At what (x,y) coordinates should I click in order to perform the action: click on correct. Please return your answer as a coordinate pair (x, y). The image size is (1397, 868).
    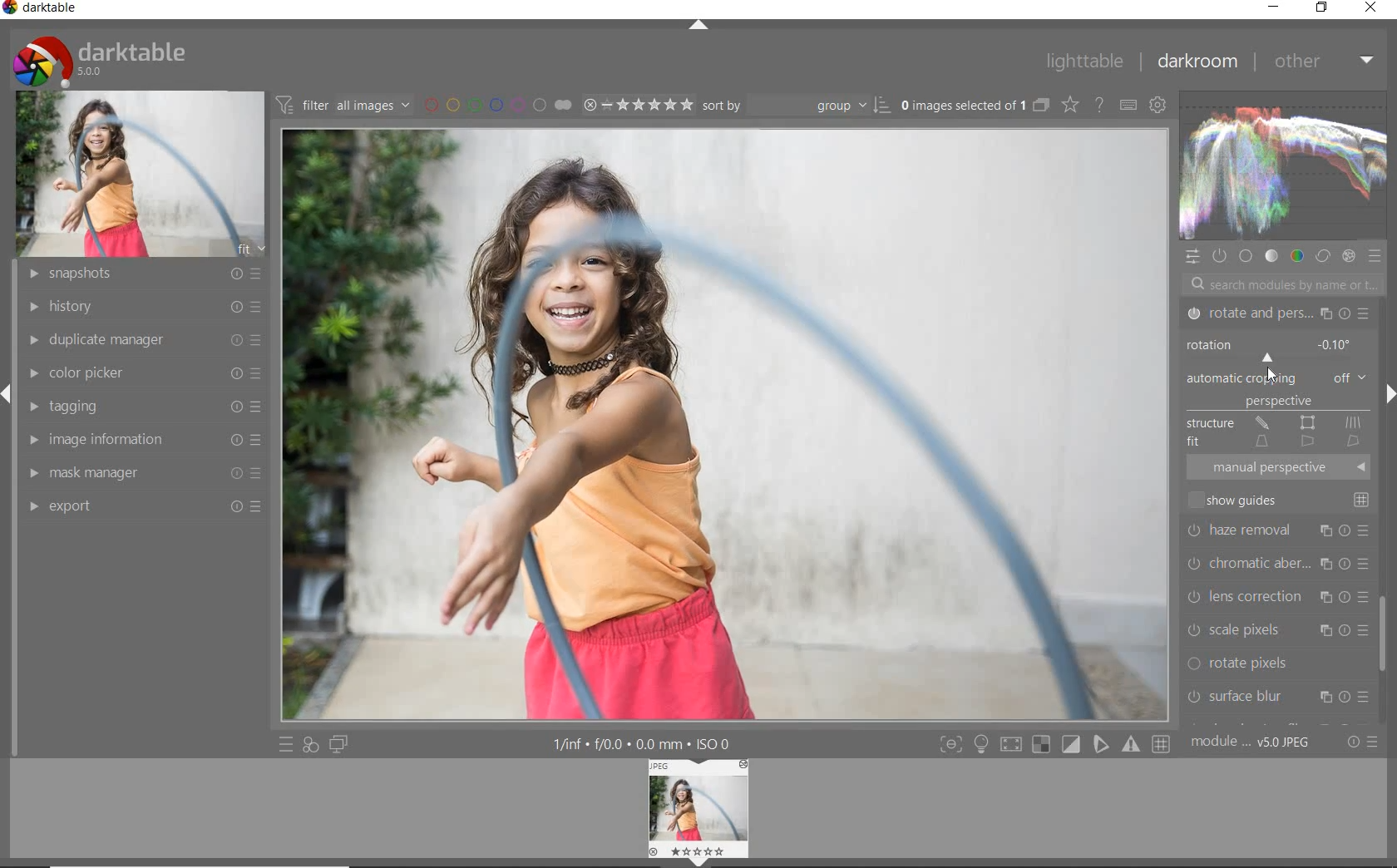
    Looking at the image, I should click on (1323, 258).